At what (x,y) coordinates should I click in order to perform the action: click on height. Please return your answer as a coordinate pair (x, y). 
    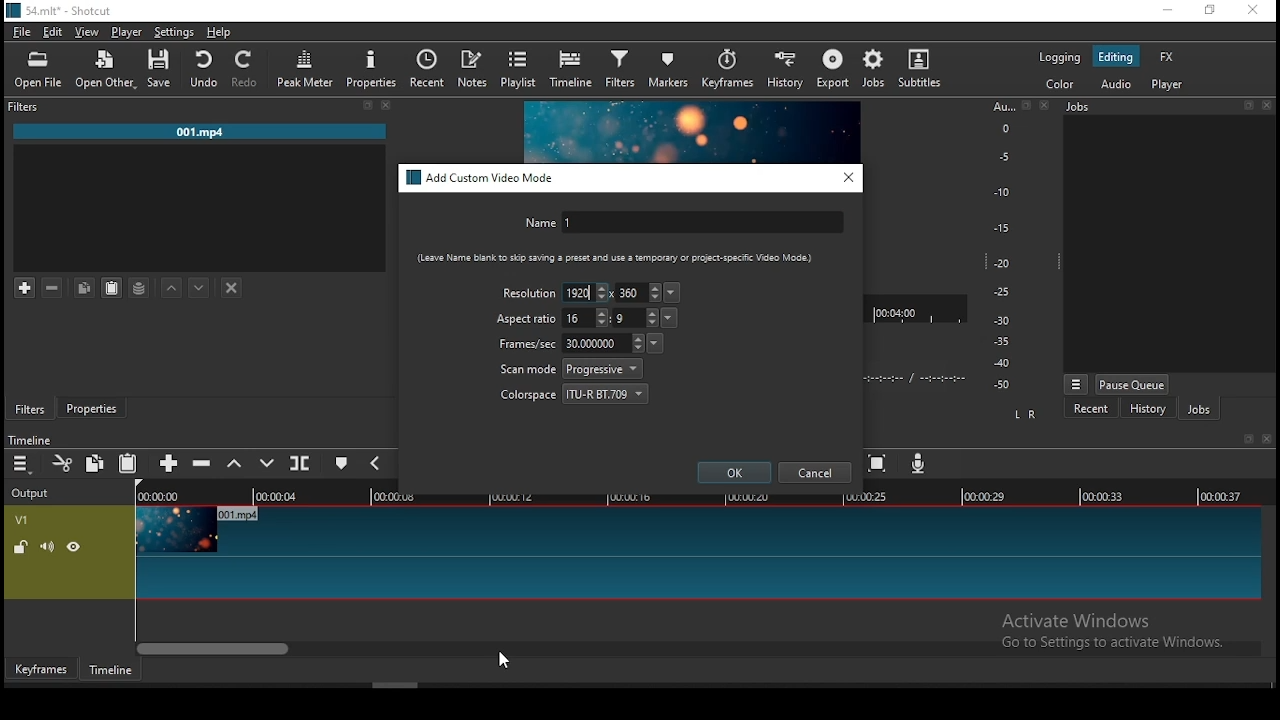
    Looking at the image, I should click on (639, 292).